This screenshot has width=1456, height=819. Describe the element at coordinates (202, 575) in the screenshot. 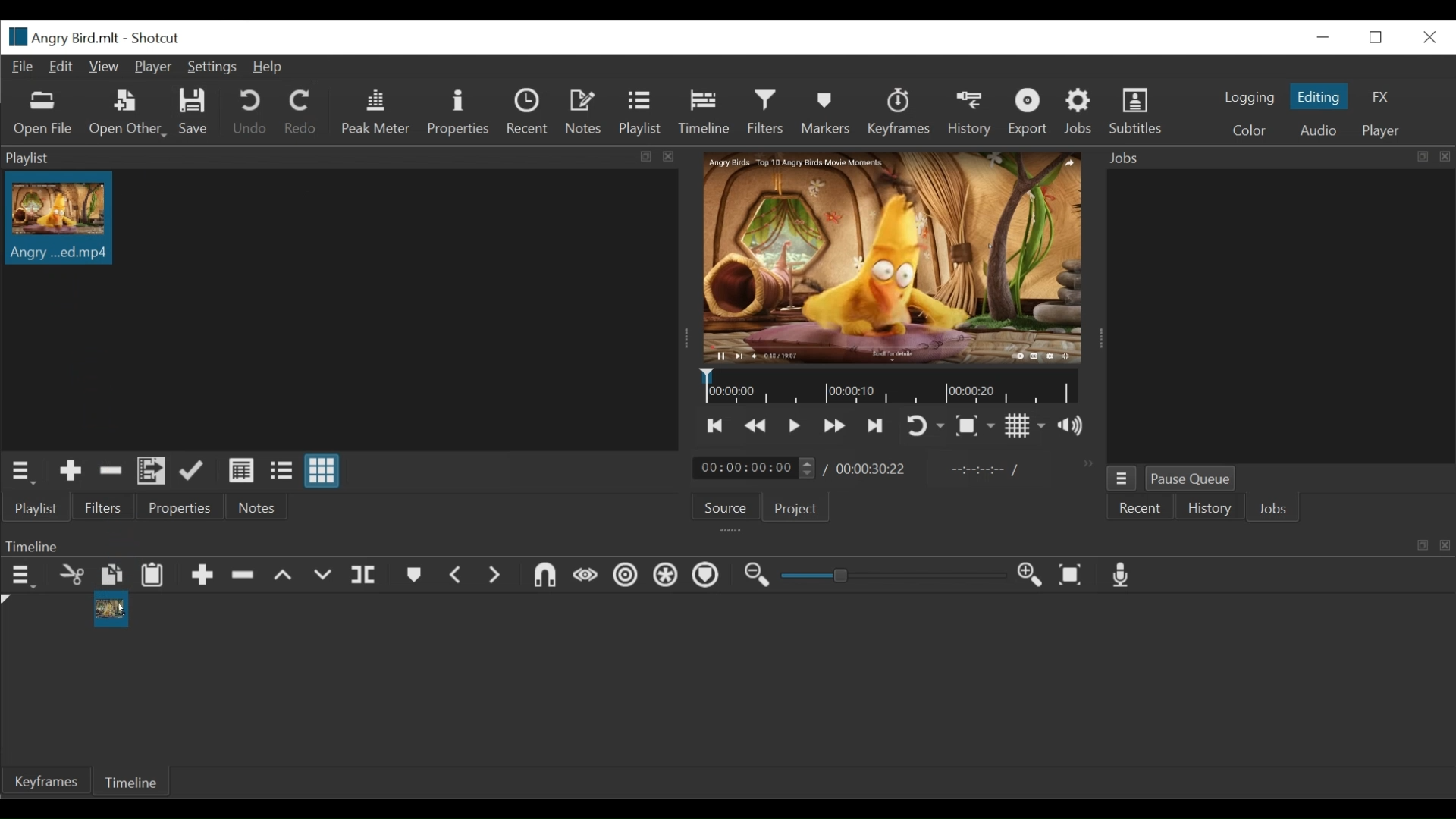

I see `Append` at that location.